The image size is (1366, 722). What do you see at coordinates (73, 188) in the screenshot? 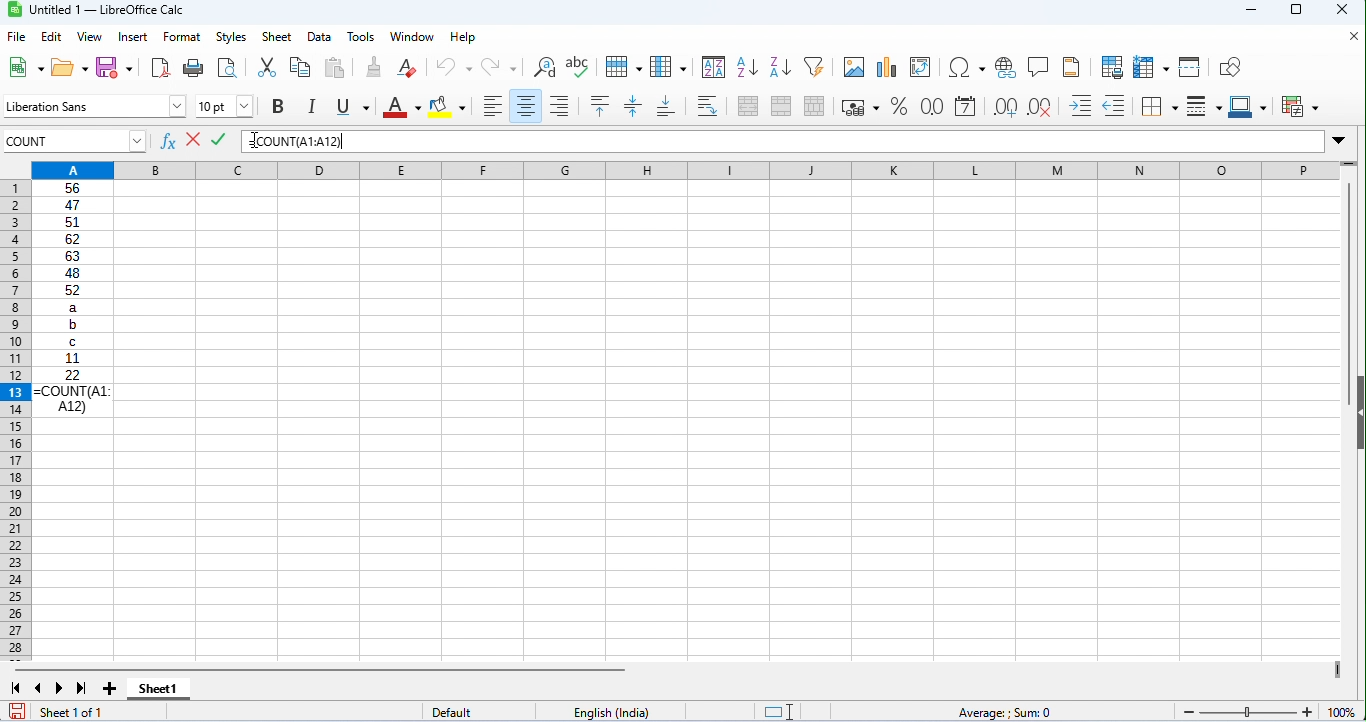
I see `56` at bounding box center [73, 188].